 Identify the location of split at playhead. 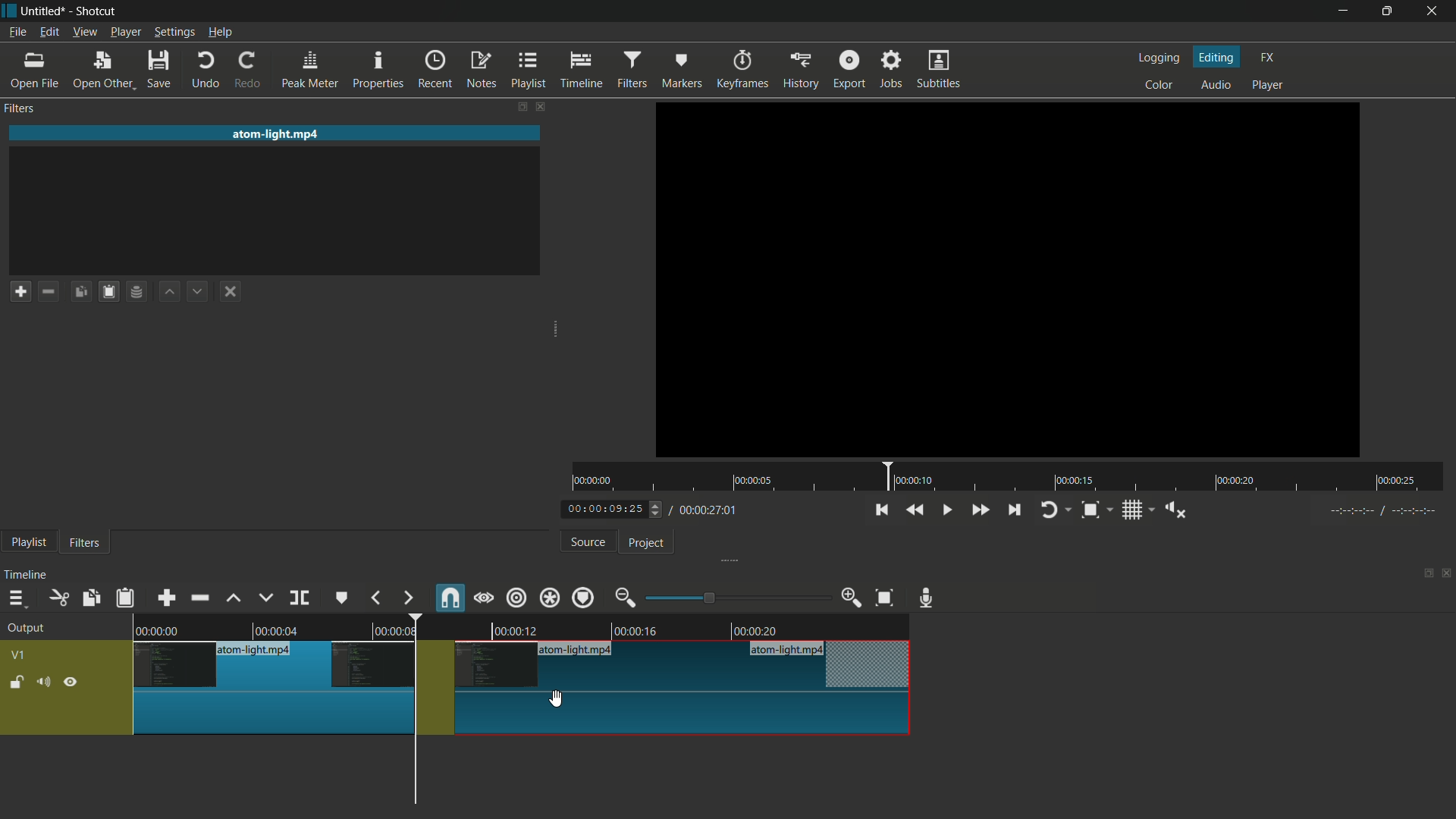
(300, 598).